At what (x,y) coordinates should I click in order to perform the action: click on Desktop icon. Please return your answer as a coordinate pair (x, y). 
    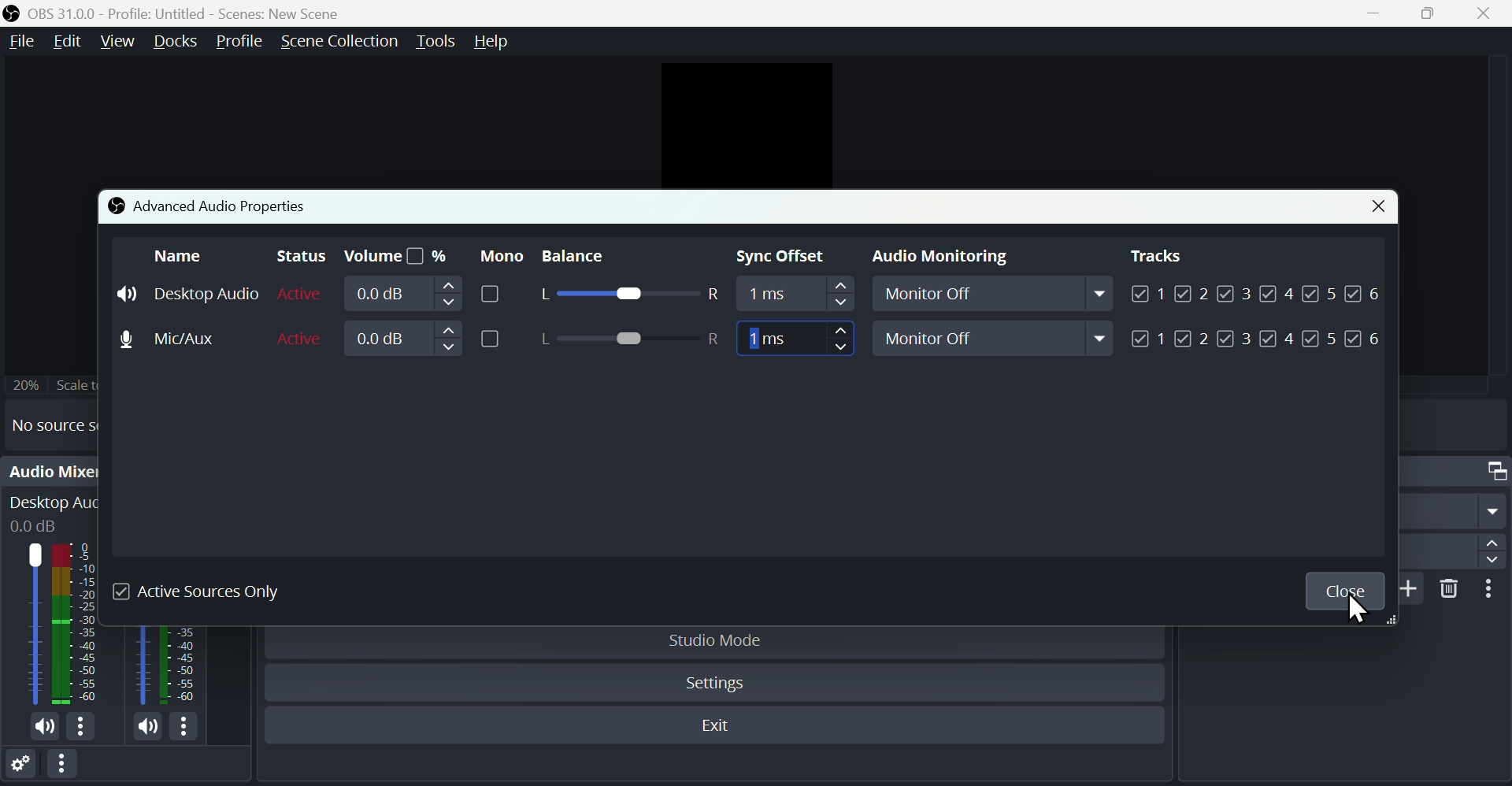
    Looking at the image, I should click on (35, 625).